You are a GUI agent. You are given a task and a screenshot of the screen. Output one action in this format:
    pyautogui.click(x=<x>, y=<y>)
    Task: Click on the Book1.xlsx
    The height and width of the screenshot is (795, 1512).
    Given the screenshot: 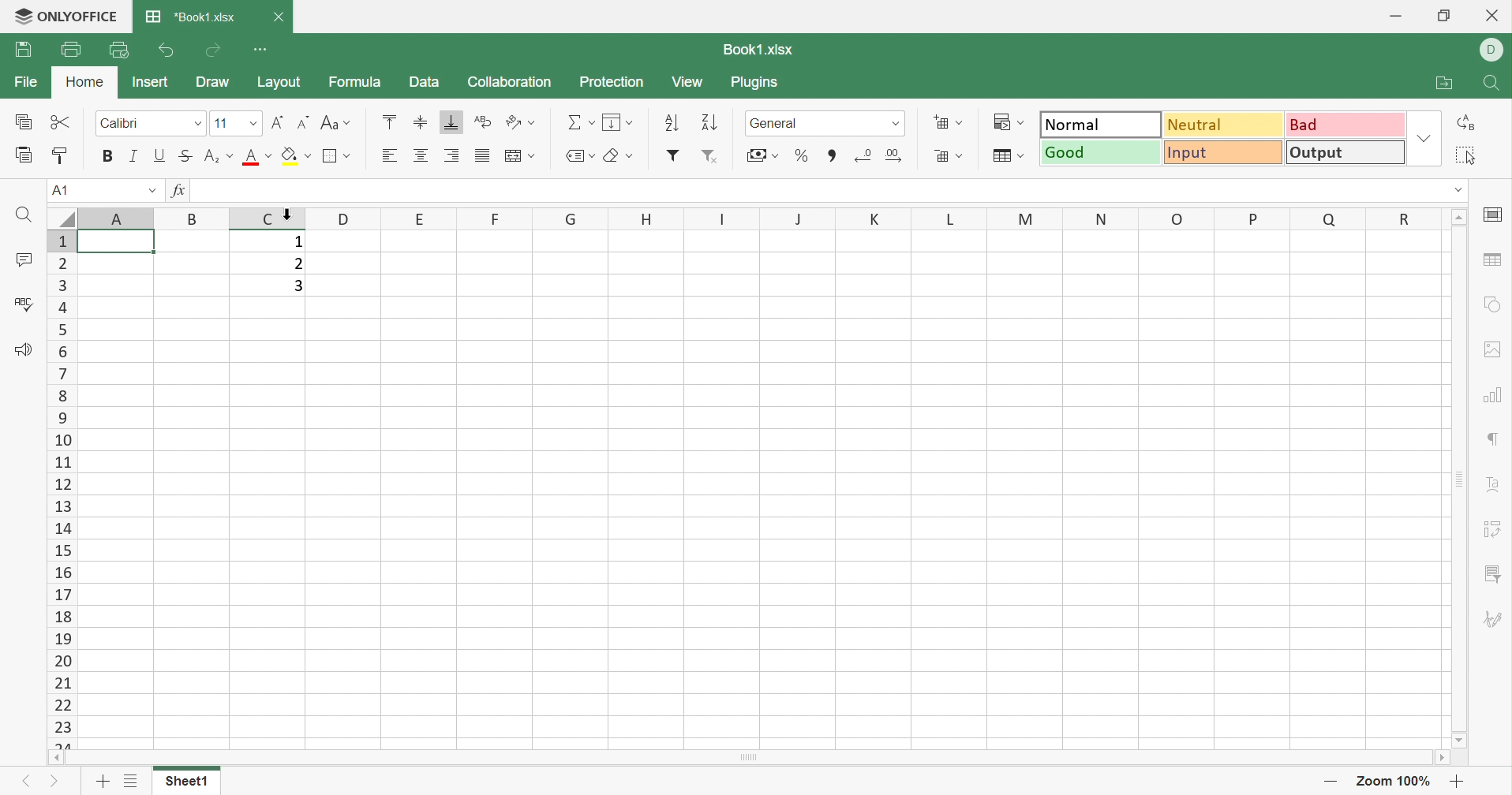 What is the action you would take?
    pyautogui.click(x=766, y=47)
    